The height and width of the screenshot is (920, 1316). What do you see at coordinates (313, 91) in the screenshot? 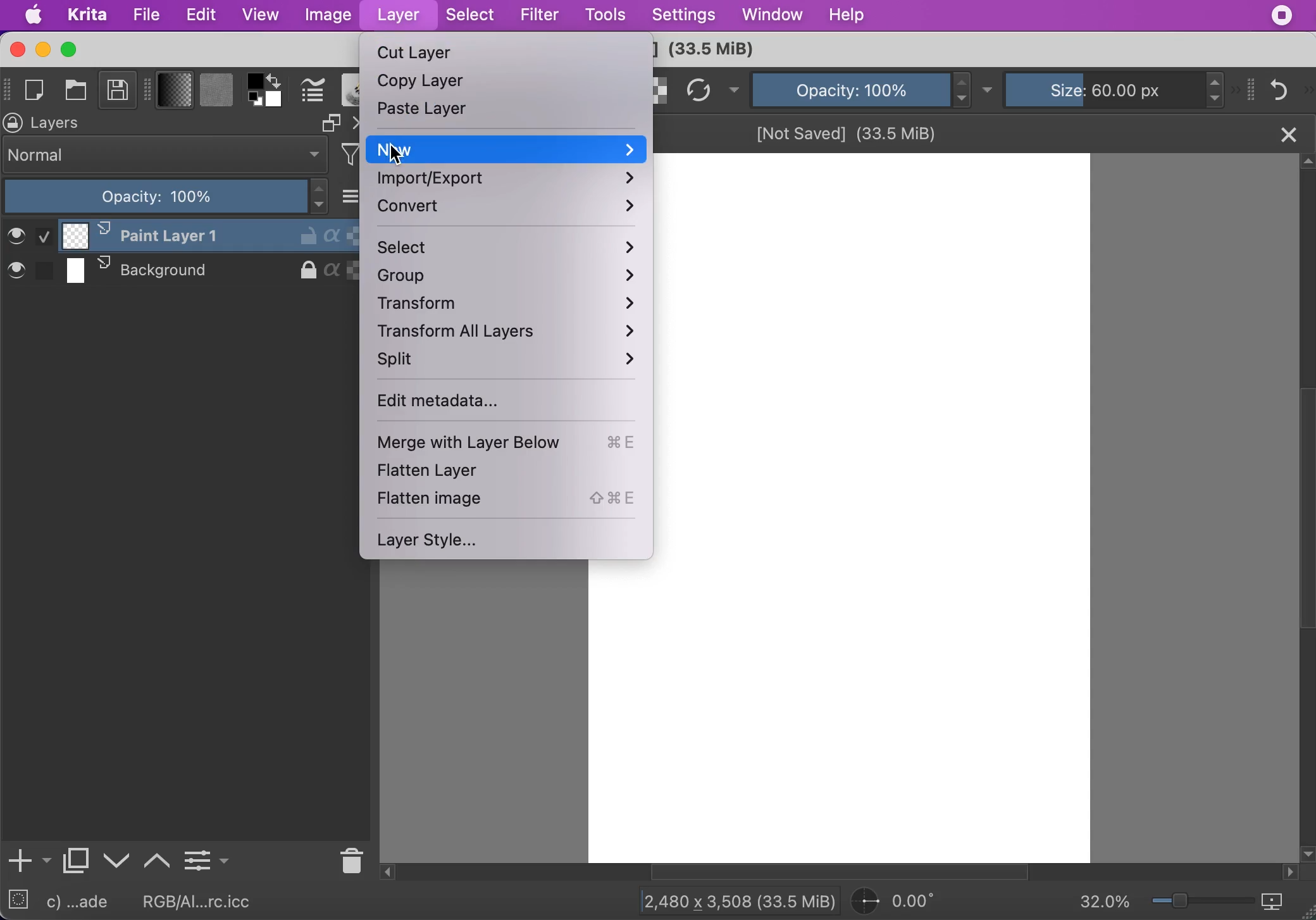
I see `edit brush settings` at bounding box center [313, 91].